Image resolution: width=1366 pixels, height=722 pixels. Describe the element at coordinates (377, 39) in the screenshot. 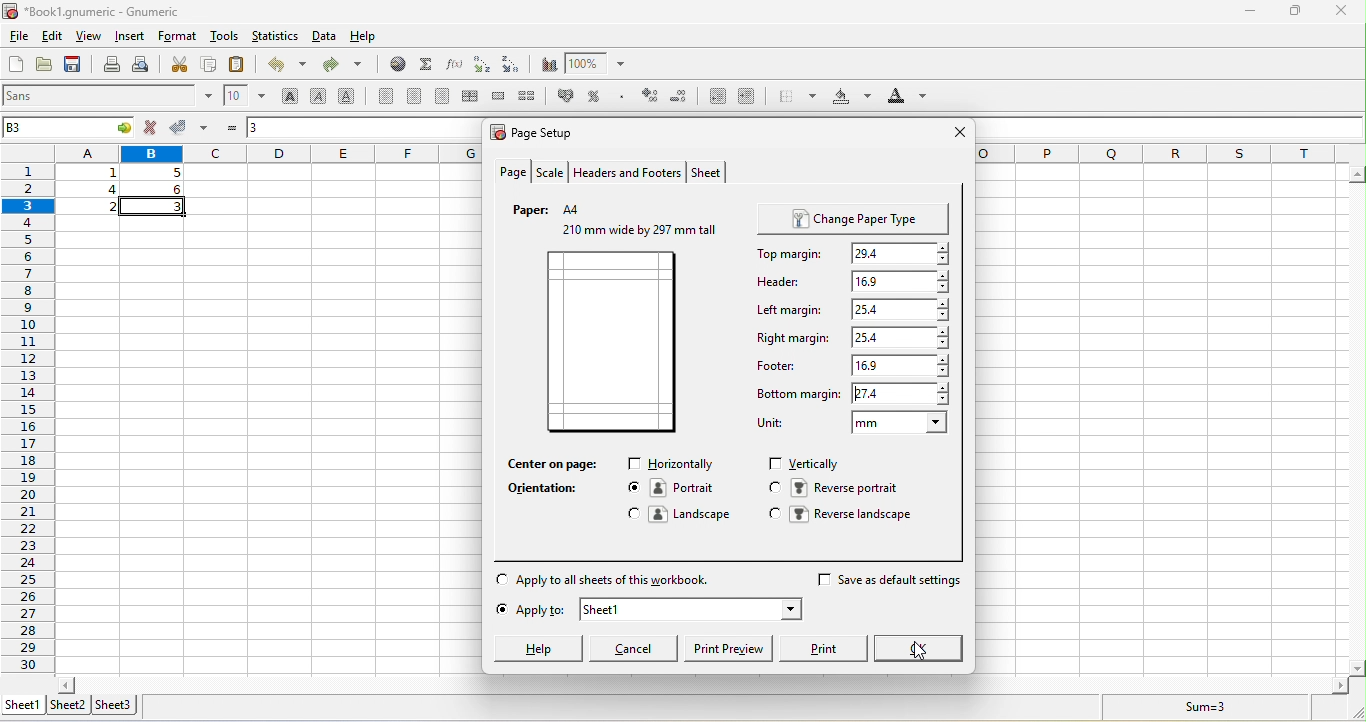

I see `help` at that location.